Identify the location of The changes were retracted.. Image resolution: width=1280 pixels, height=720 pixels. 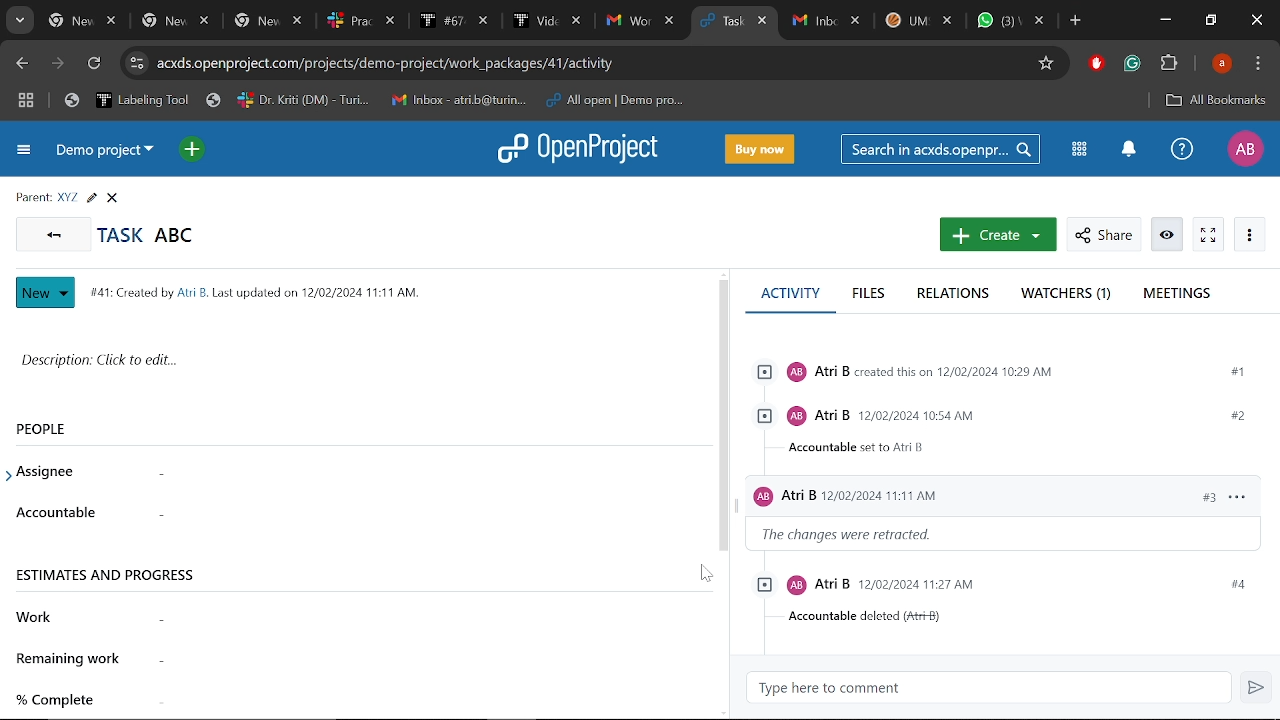
(851, 535).